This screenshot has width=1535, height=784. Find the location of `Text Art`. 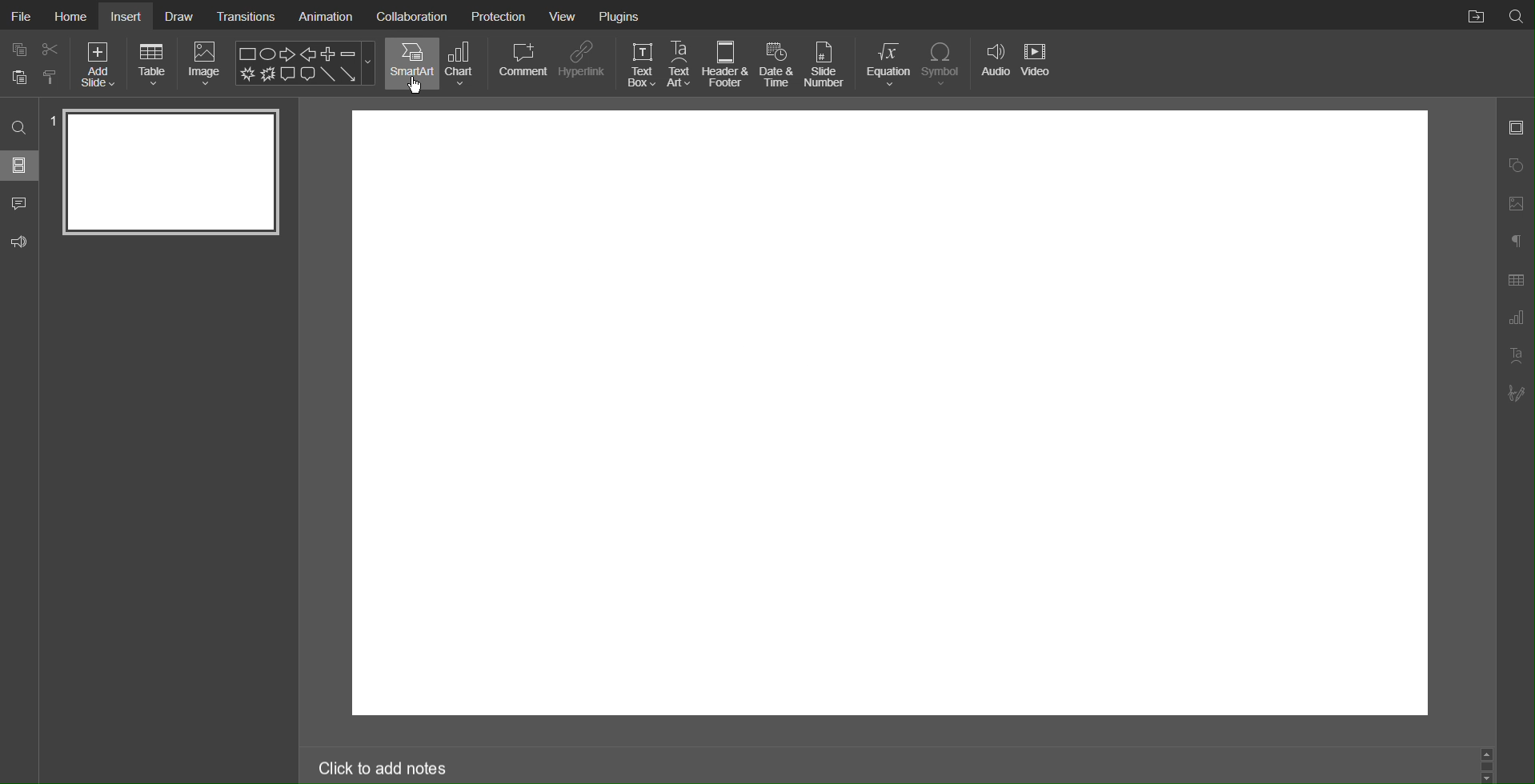

Text Art is located at coordinates (680, 66).